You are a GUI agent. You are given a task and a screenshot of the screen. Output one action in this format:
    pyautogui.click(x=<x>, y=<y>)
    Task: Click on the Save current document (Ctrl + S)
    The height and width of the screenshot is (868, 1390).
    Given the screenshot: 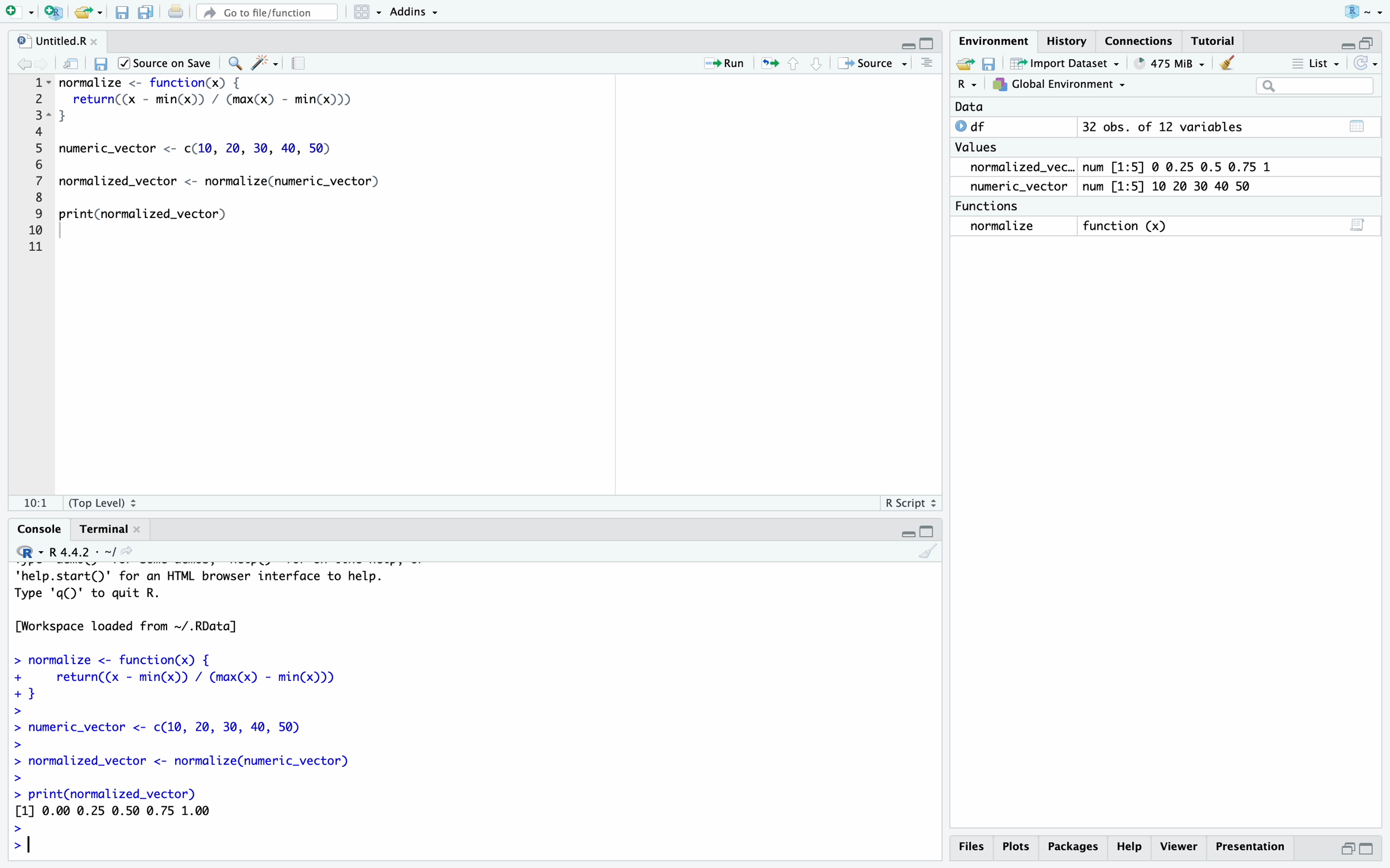 What is the action you would take?
    pyautogui.click(x=121, y=14)
    